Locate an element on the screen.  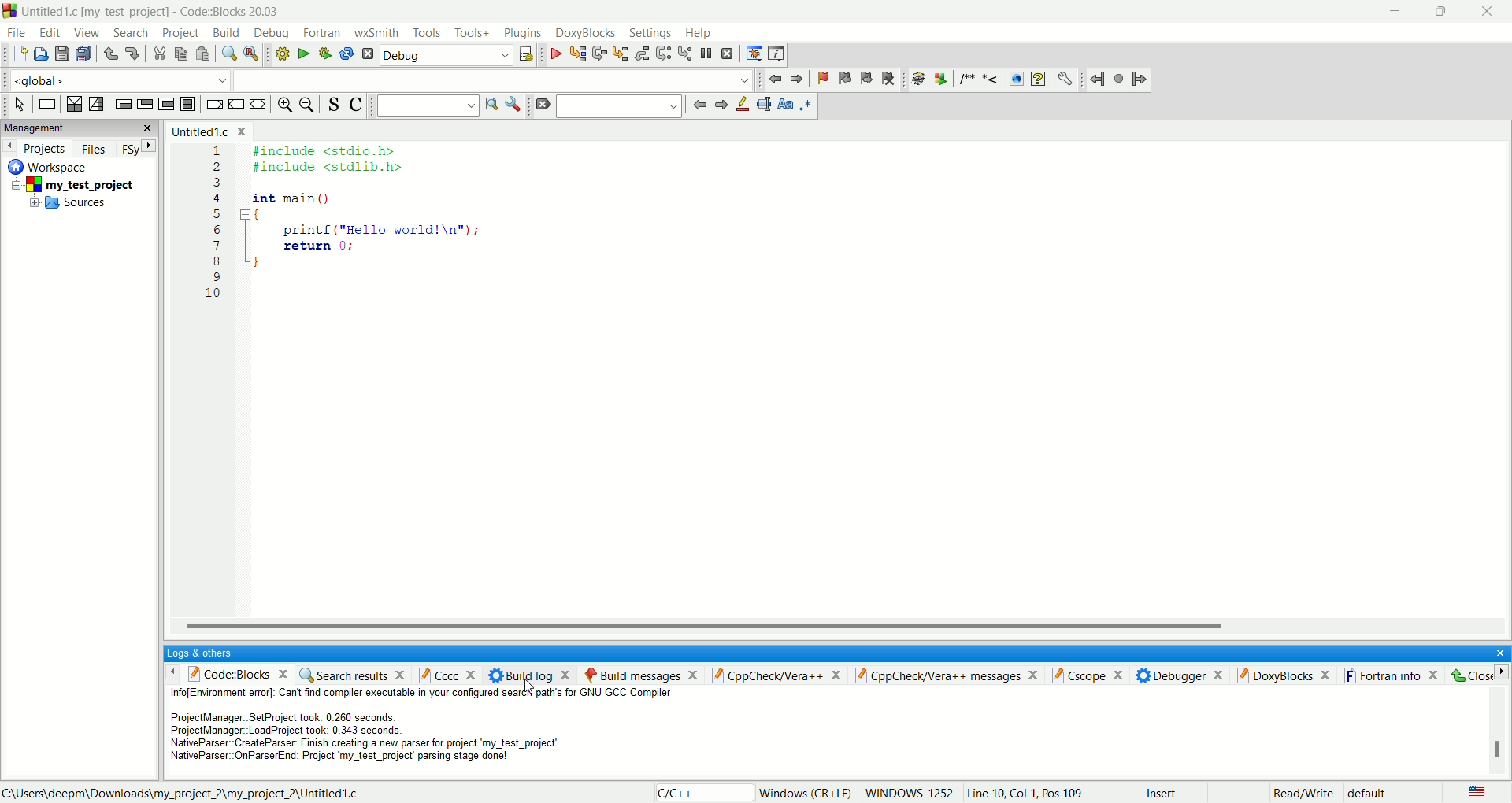
Flies is located at coordinates (94, 146).